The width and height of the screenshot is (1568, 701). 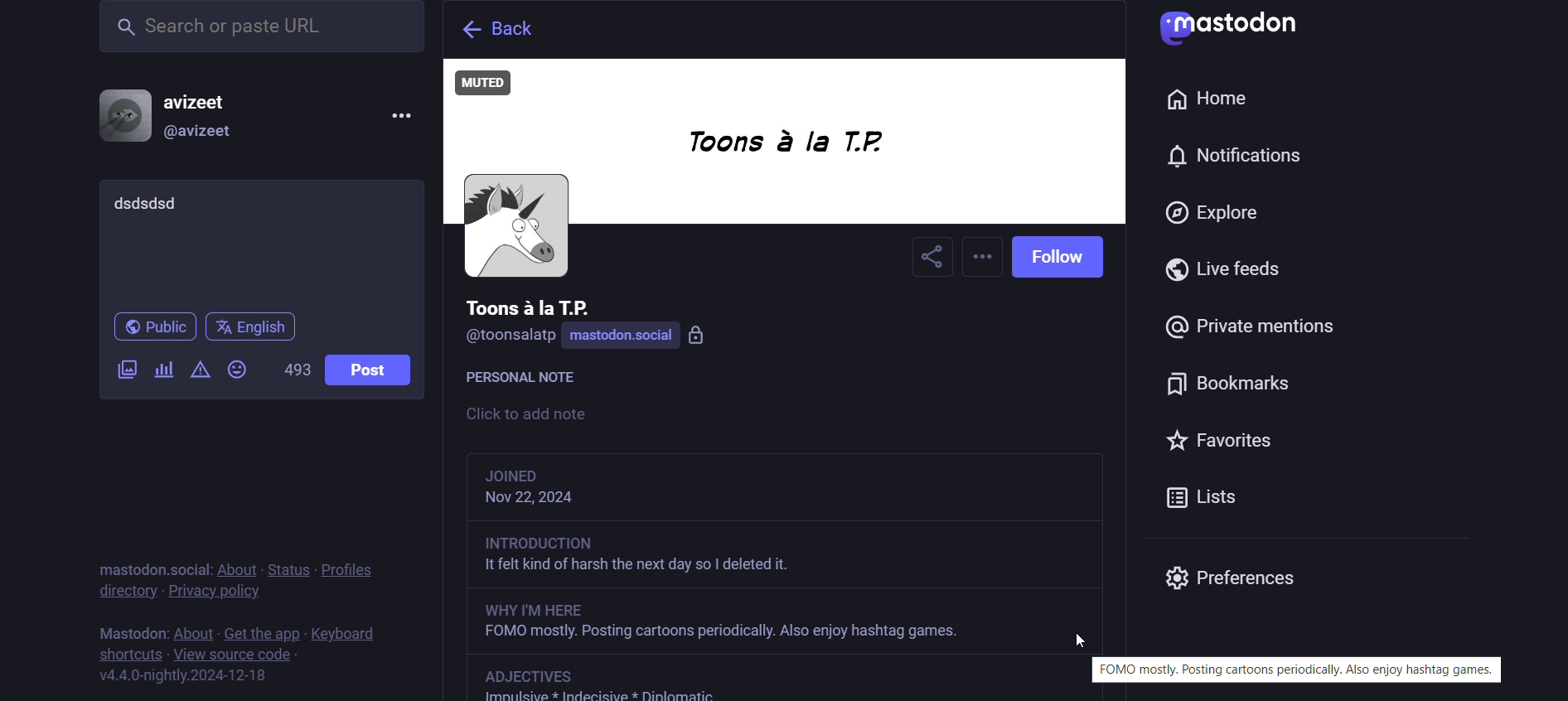 I want to click on view source code, so click(x=239, y=656).